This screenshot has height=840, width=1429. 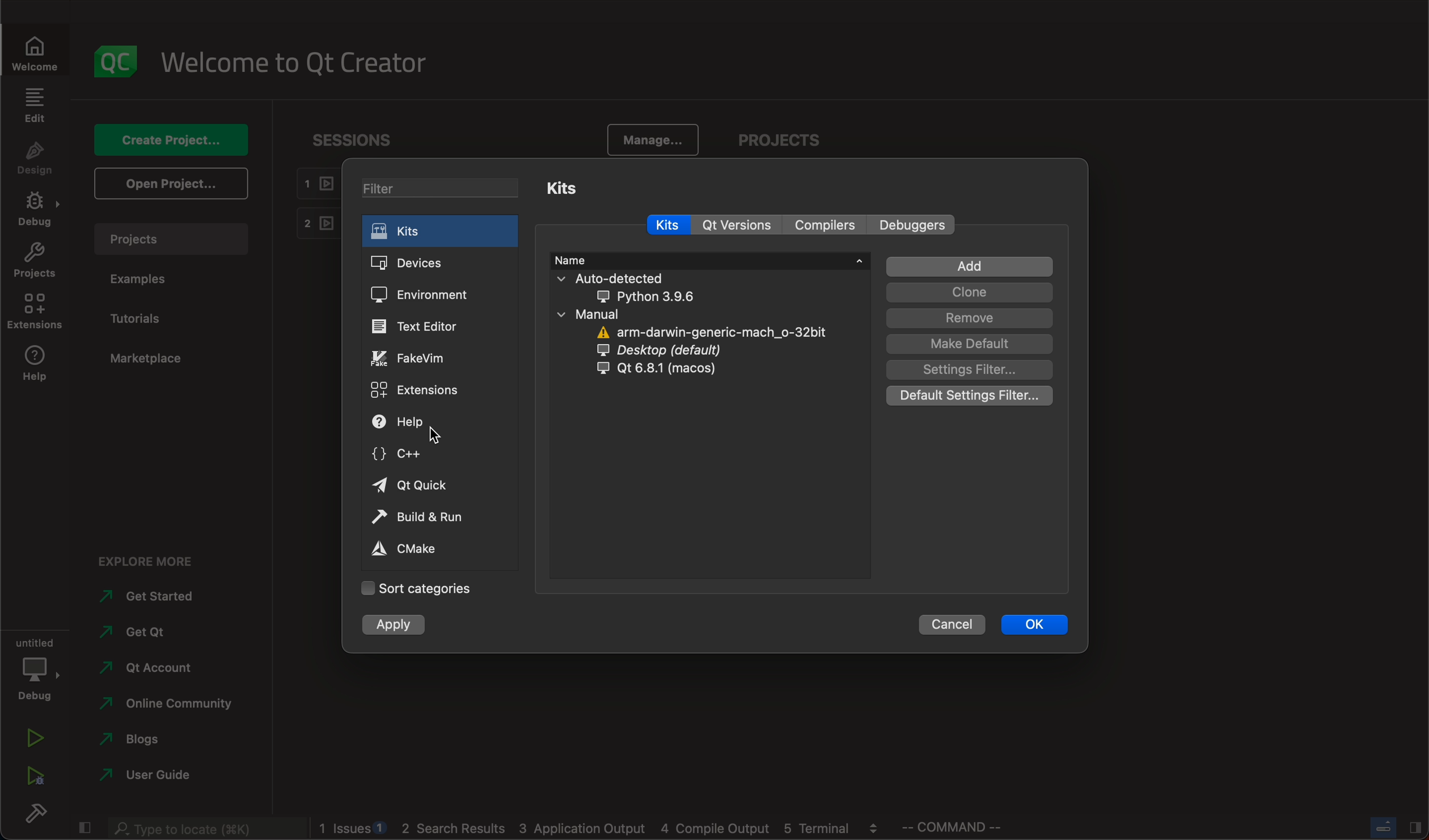 I want to click on community, so click(x=166, y=706).